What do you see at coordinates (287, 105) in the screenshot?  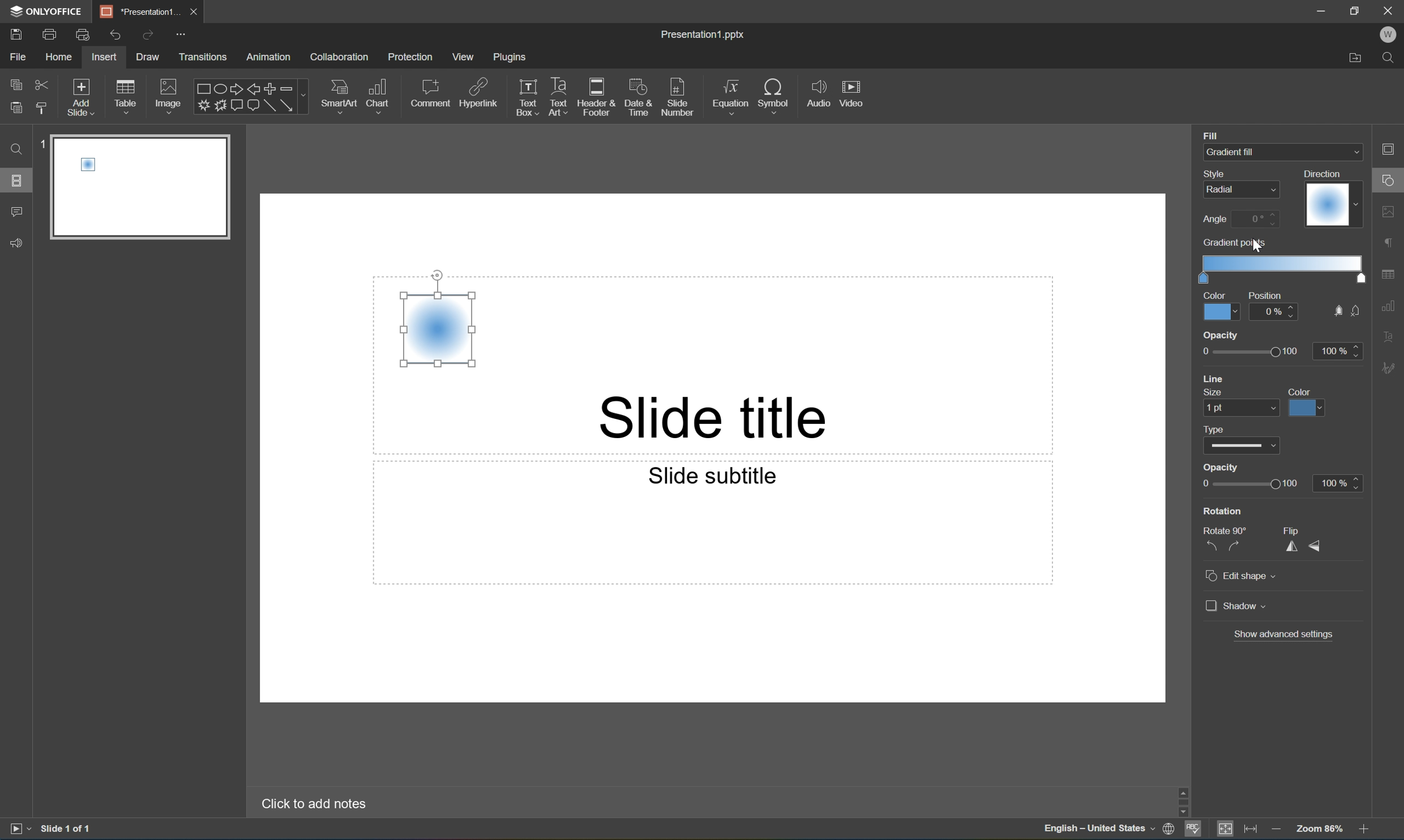 I see `Arrow` at bounding box center [287, 105].